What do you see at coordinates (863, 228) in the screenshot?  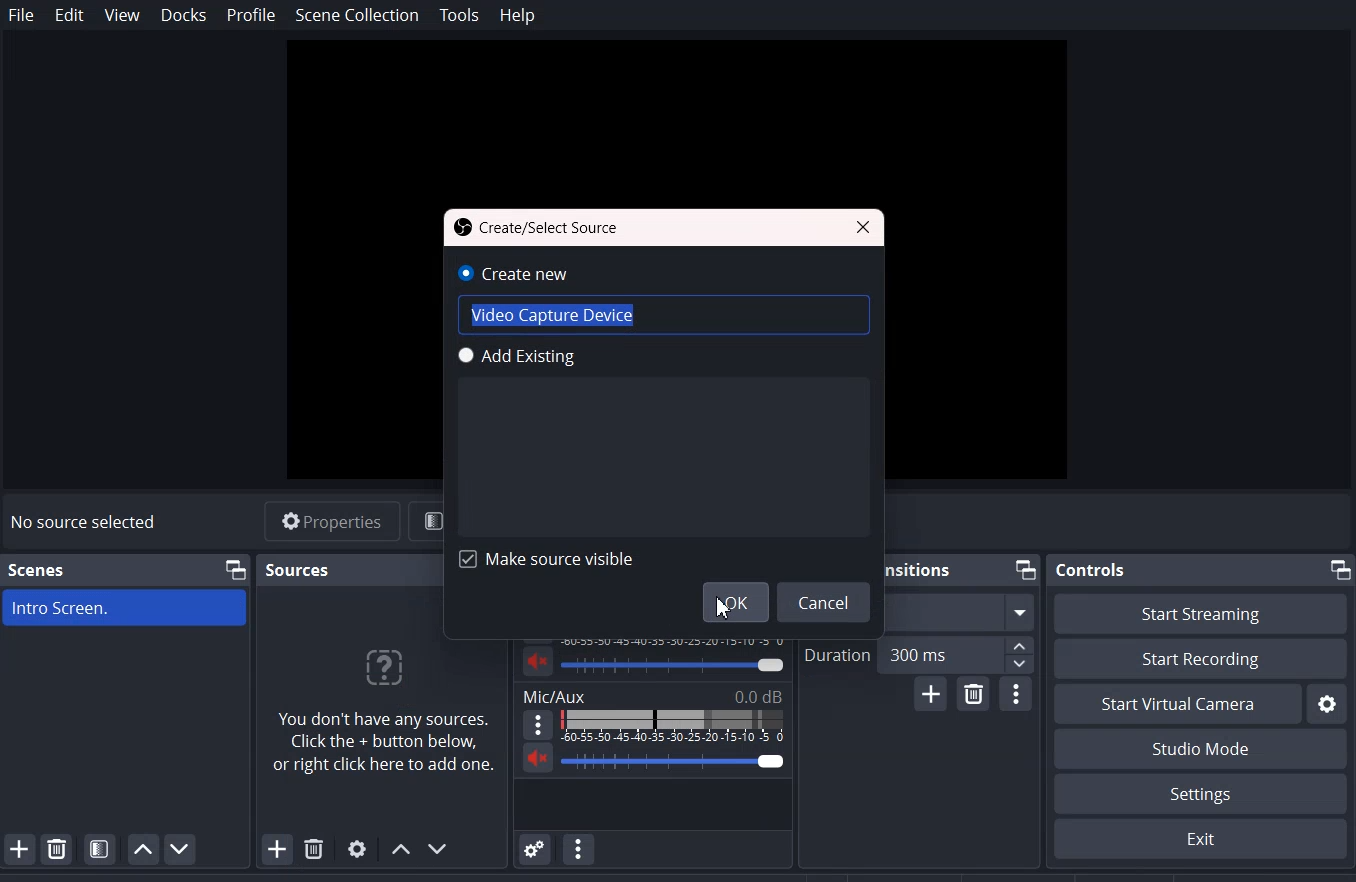 I see `Close` at bounding box center [863, 228].